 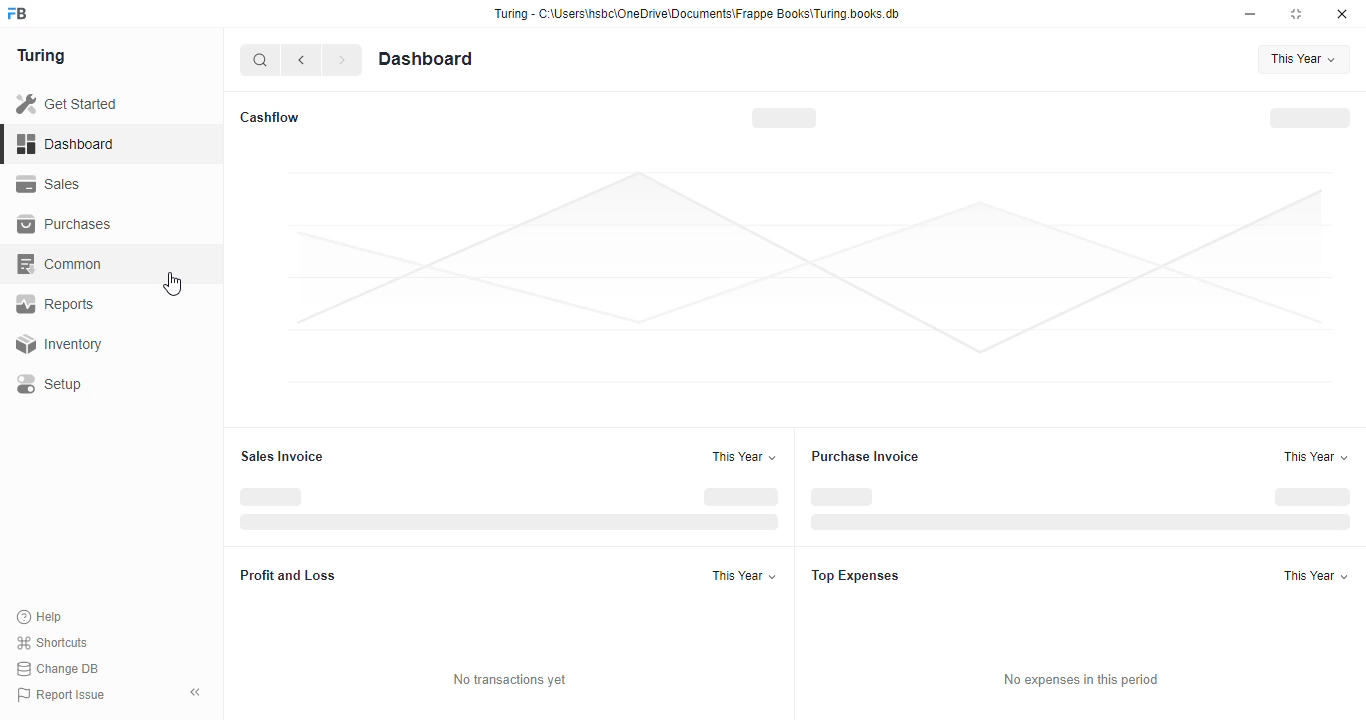 What do you see at coordinates (288, 575) in the screenshot?
I see `profit and loss` at bounding box center [288, 575].